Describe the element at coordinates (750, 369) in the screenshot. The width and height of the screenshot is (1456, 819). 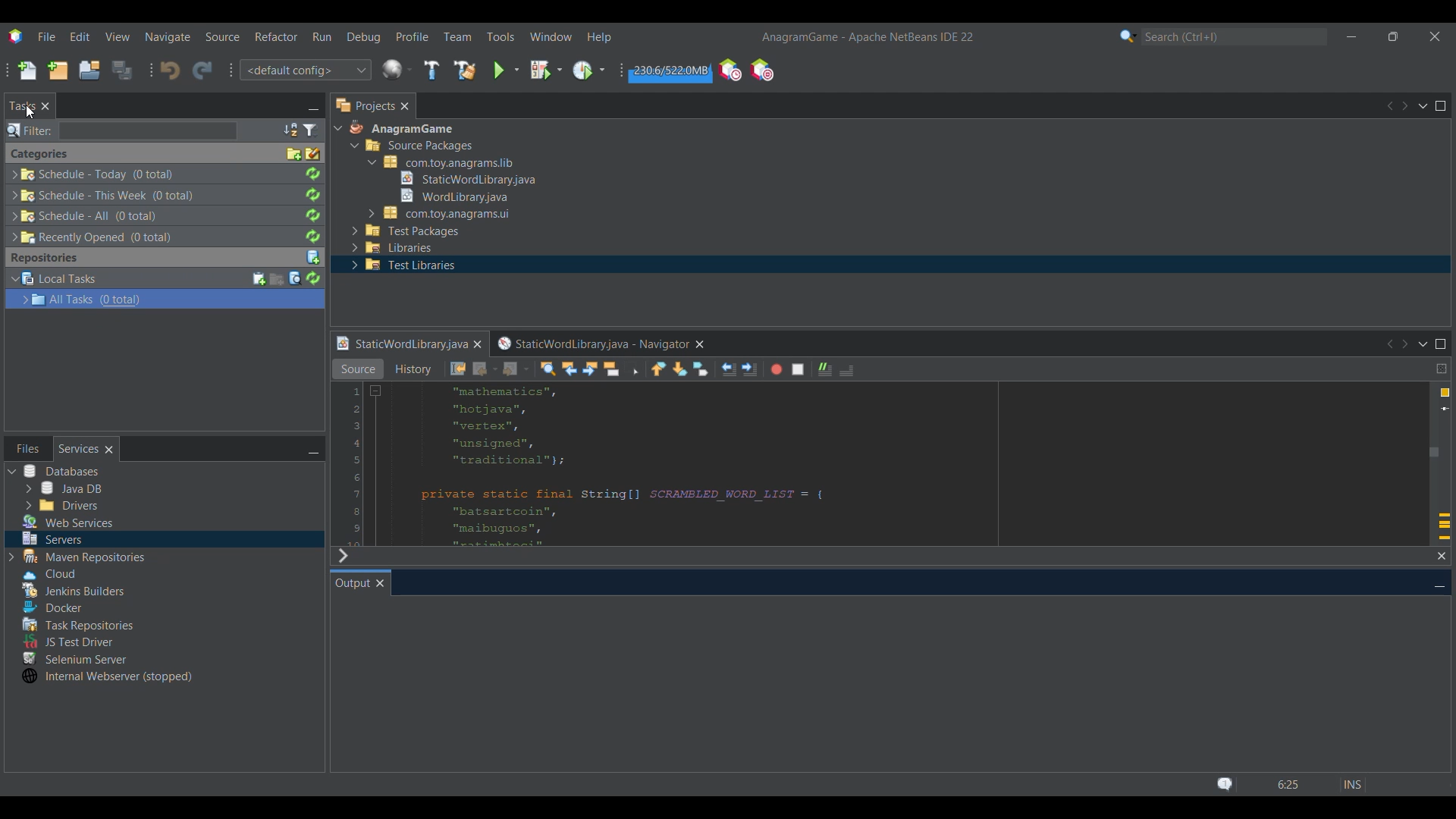
I see `Shift line right` at that location.